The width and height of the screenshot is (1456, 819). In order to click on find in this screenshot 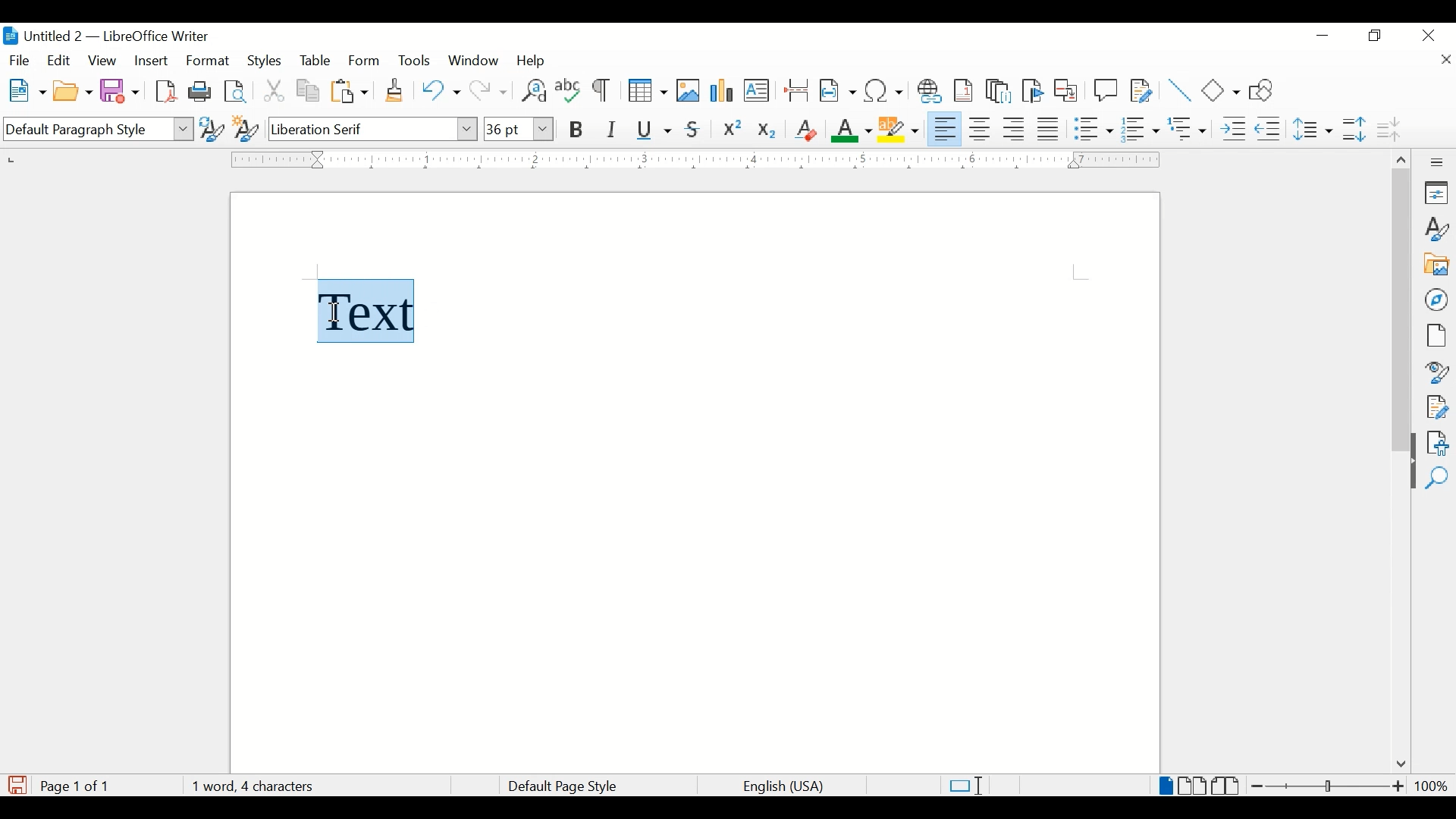, I will do `click(1437, 479)`.